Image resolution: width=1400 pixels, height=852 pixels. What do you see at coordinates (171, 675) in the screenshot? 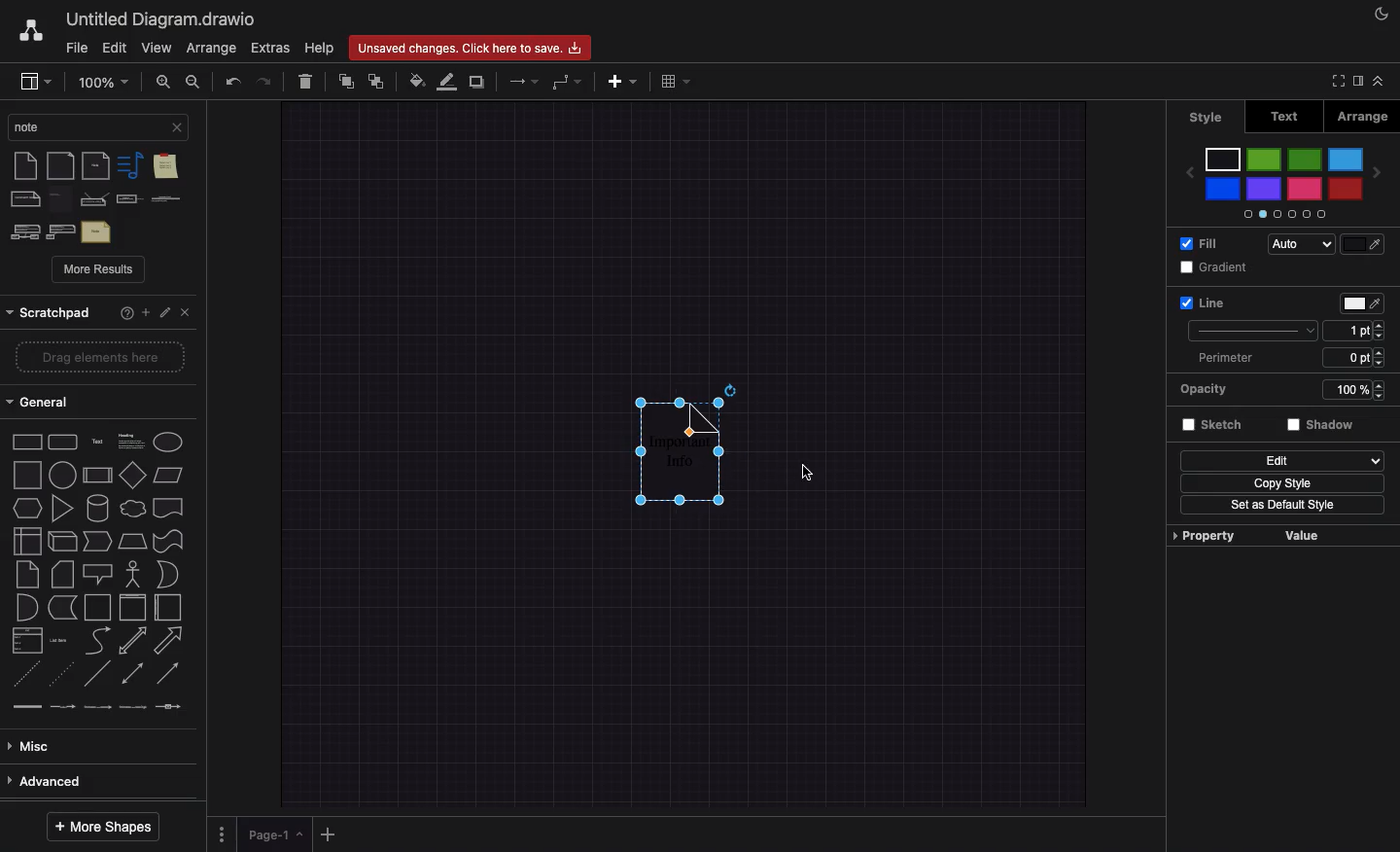
I see `directional connector` at bounding box center [171, 675].